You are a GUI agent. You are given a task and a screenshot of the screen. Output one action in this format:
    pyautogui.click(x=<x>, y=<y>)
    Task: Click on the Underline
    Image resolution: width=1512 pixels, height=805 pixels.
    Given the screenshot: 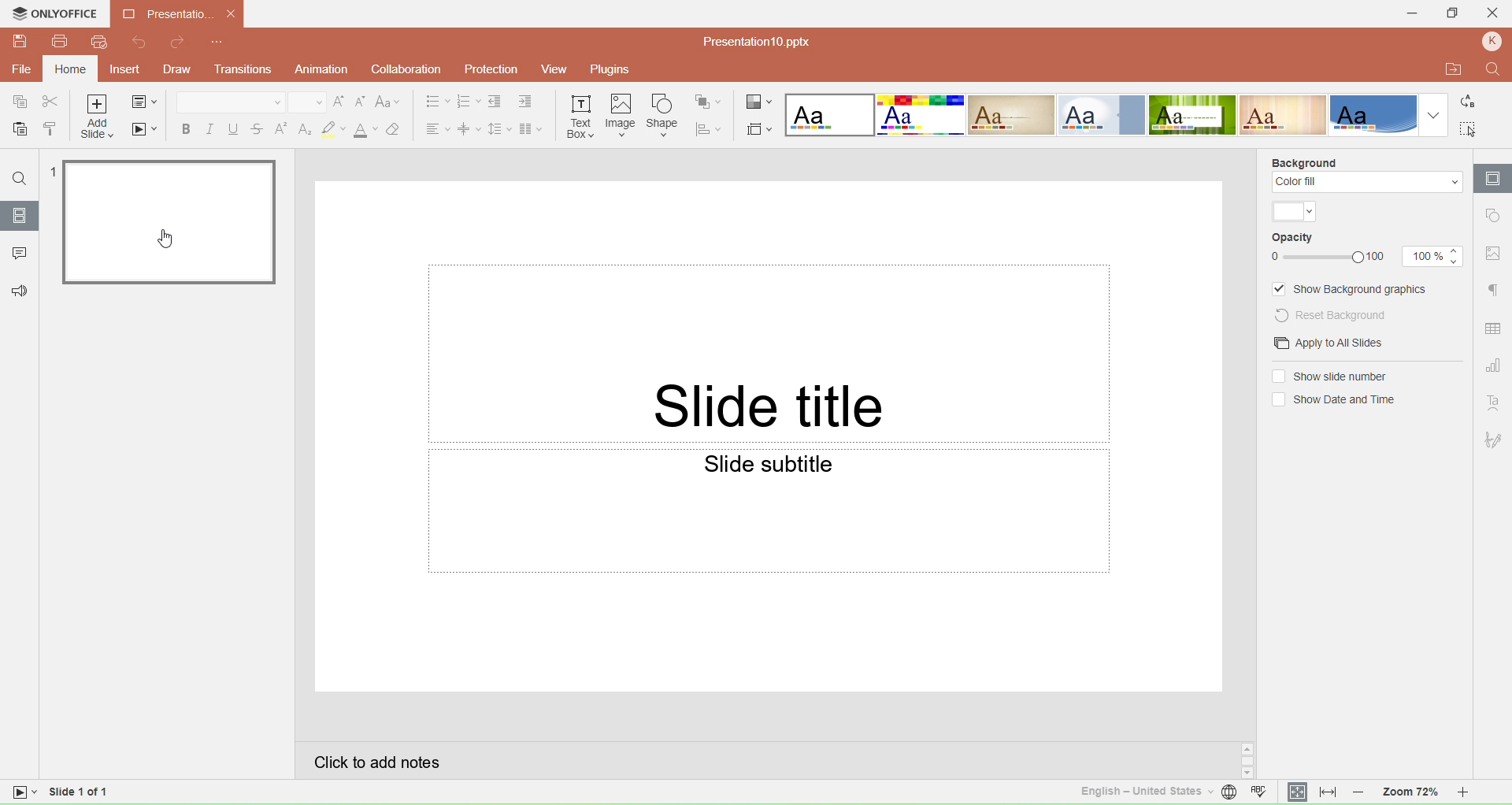 What is the action you would take?
    pyautogui.click(x=233, y=128)
    